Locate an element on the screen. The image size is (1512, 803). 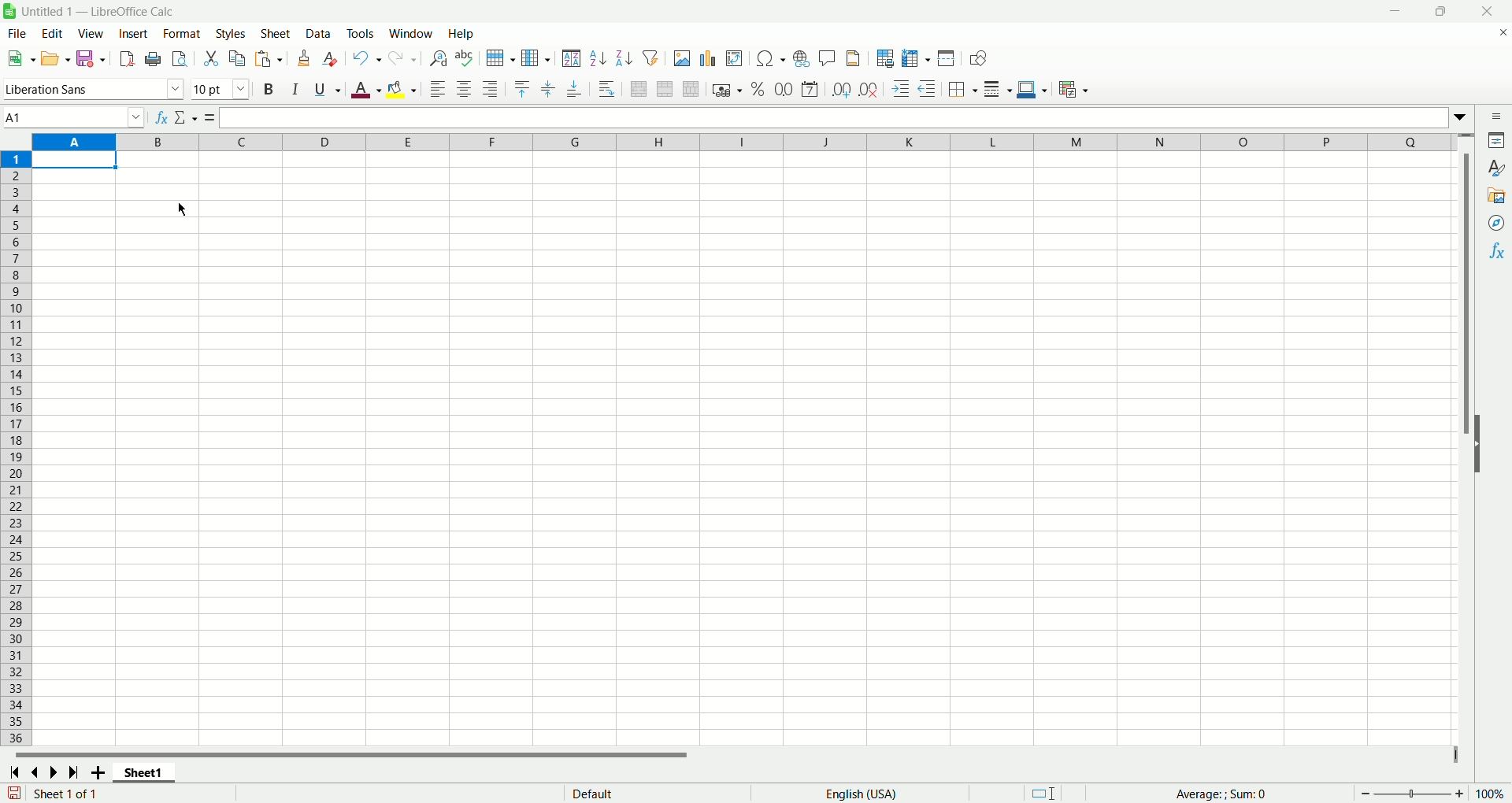
column names is located at coordinates (748, 142).